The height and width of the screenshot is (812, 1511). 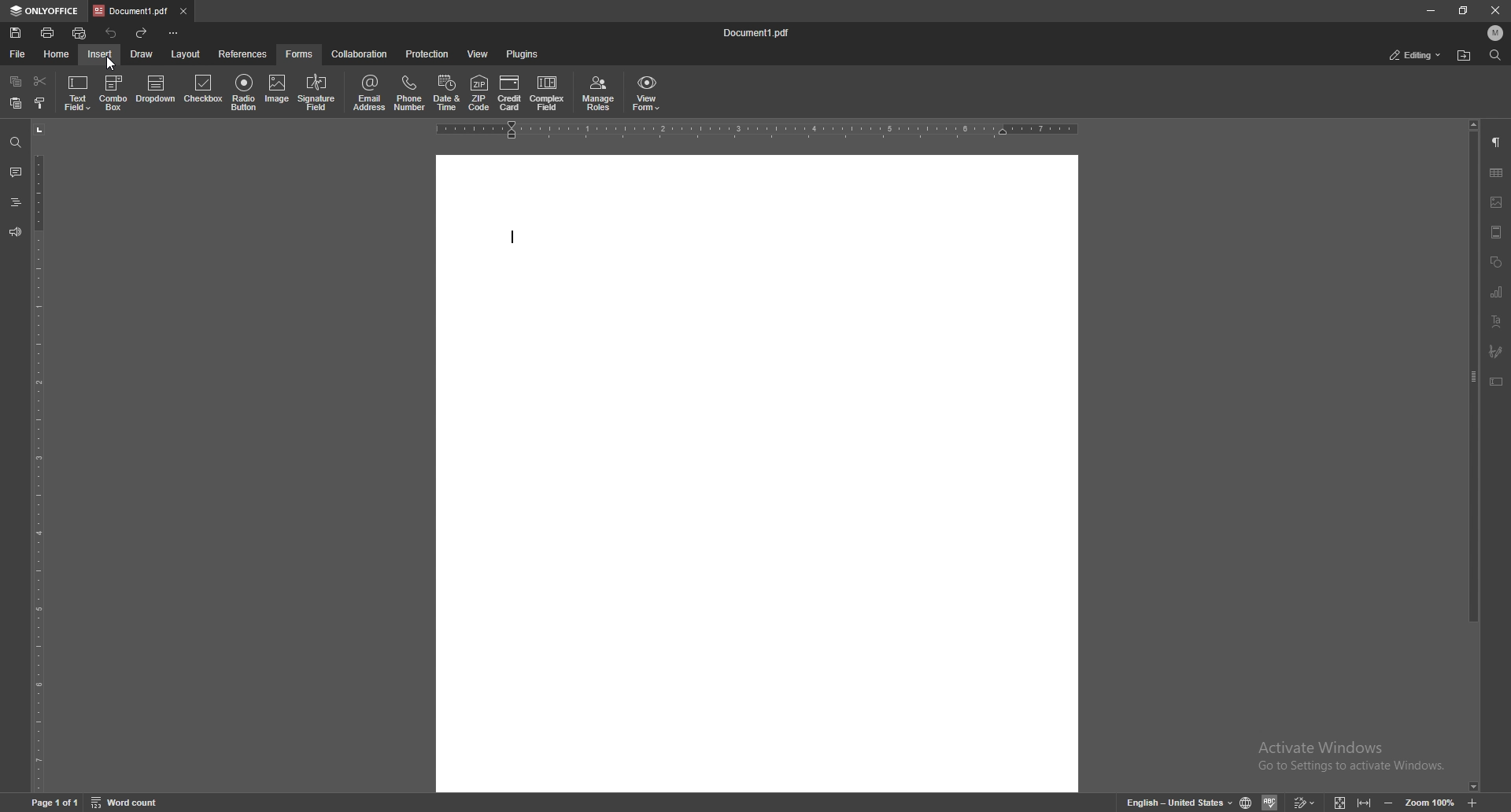 What do you see at coordinates (183, 12) in the screenshot?
I see `close tab` at bounding box center [183, 12].